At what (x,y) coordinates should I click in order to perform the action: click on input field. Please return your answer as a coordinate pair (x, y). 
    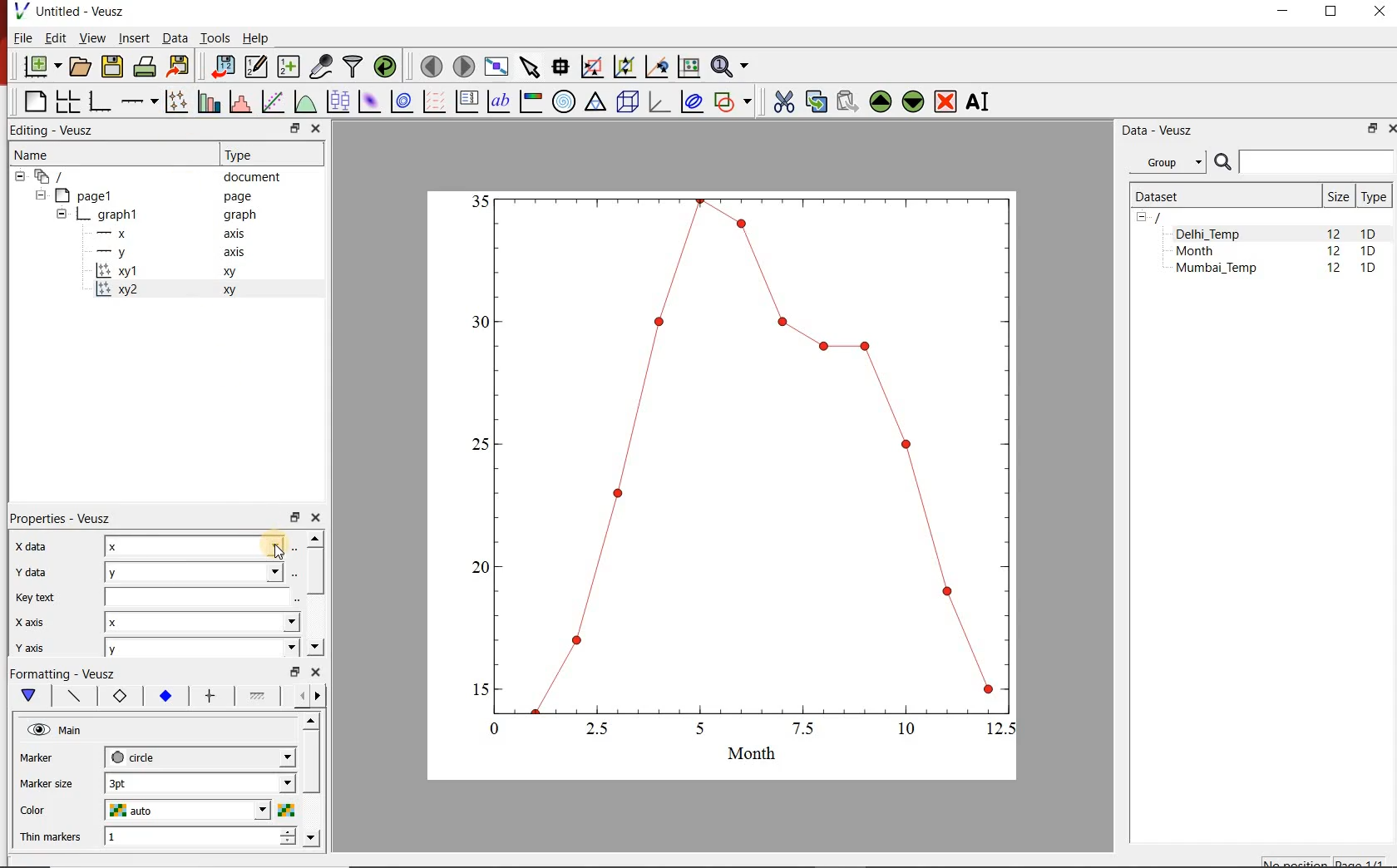
    Looking at the image, I should click on (204, 596).